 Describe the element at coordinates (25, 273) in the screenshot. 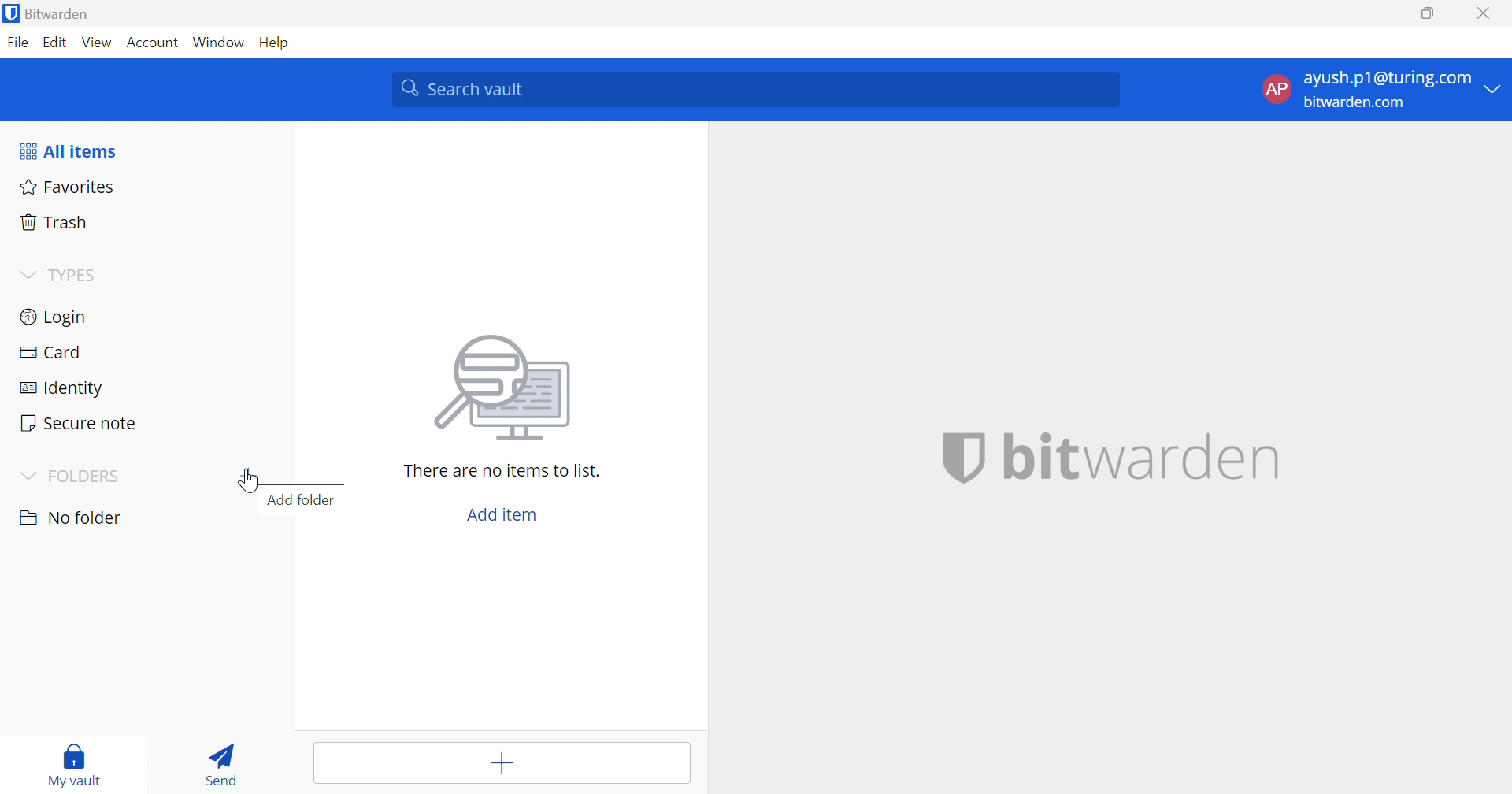

I see `Drop Down` at that location.